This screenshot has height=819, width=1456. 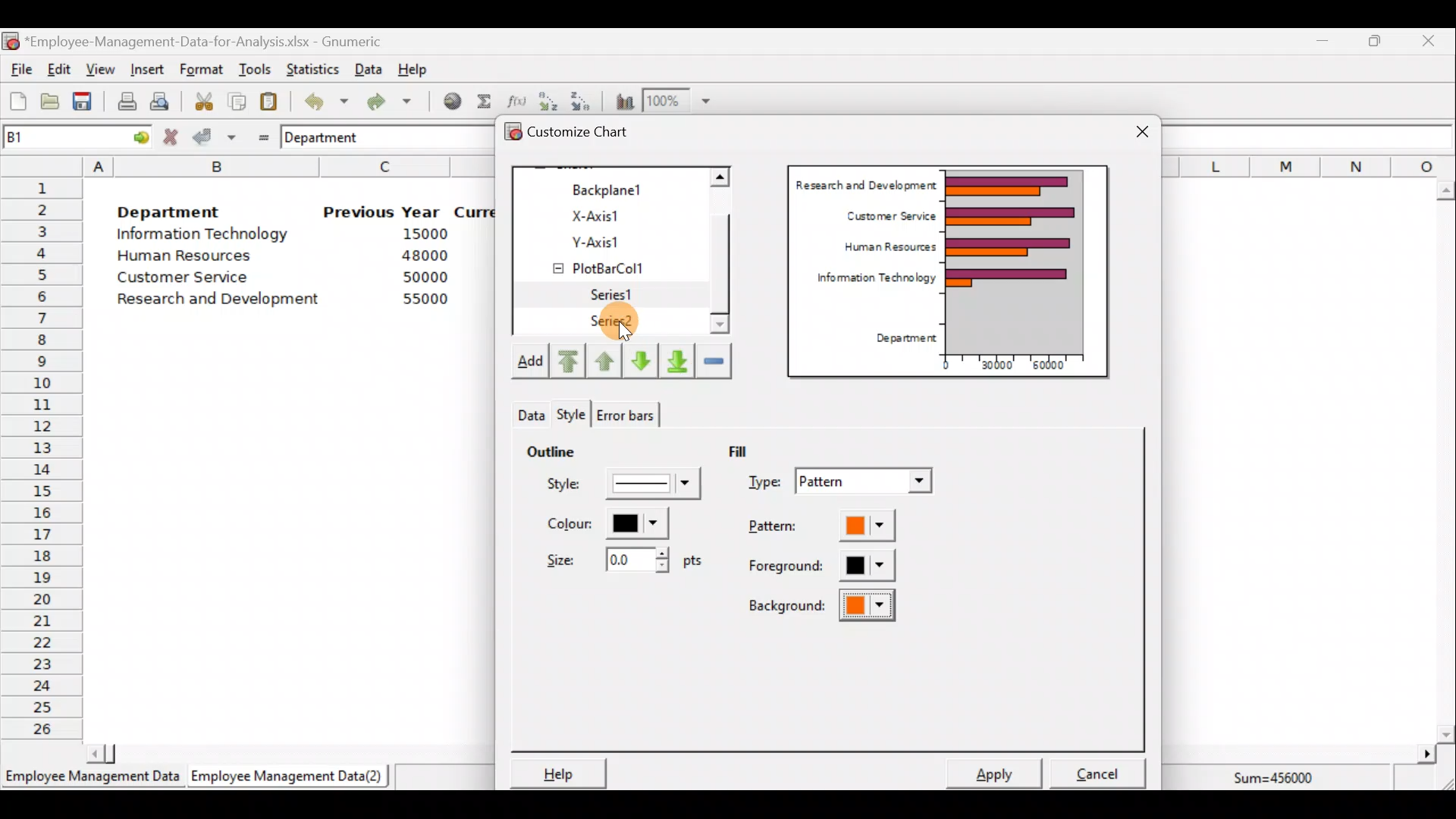 What do you see at coordinates (135, 135) in the screenshot?
I see `go to` at bounding box center [135, 135].